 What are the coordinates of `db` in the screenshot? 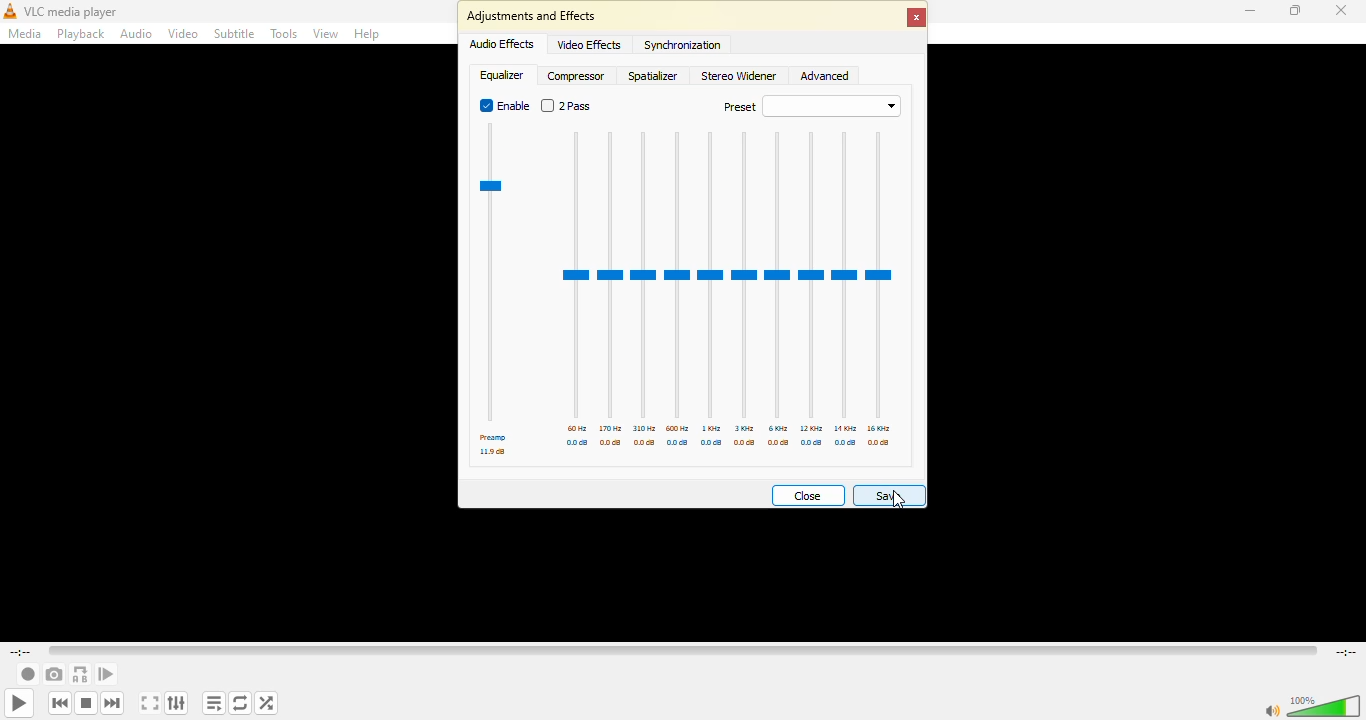 It's located at (578, 443).